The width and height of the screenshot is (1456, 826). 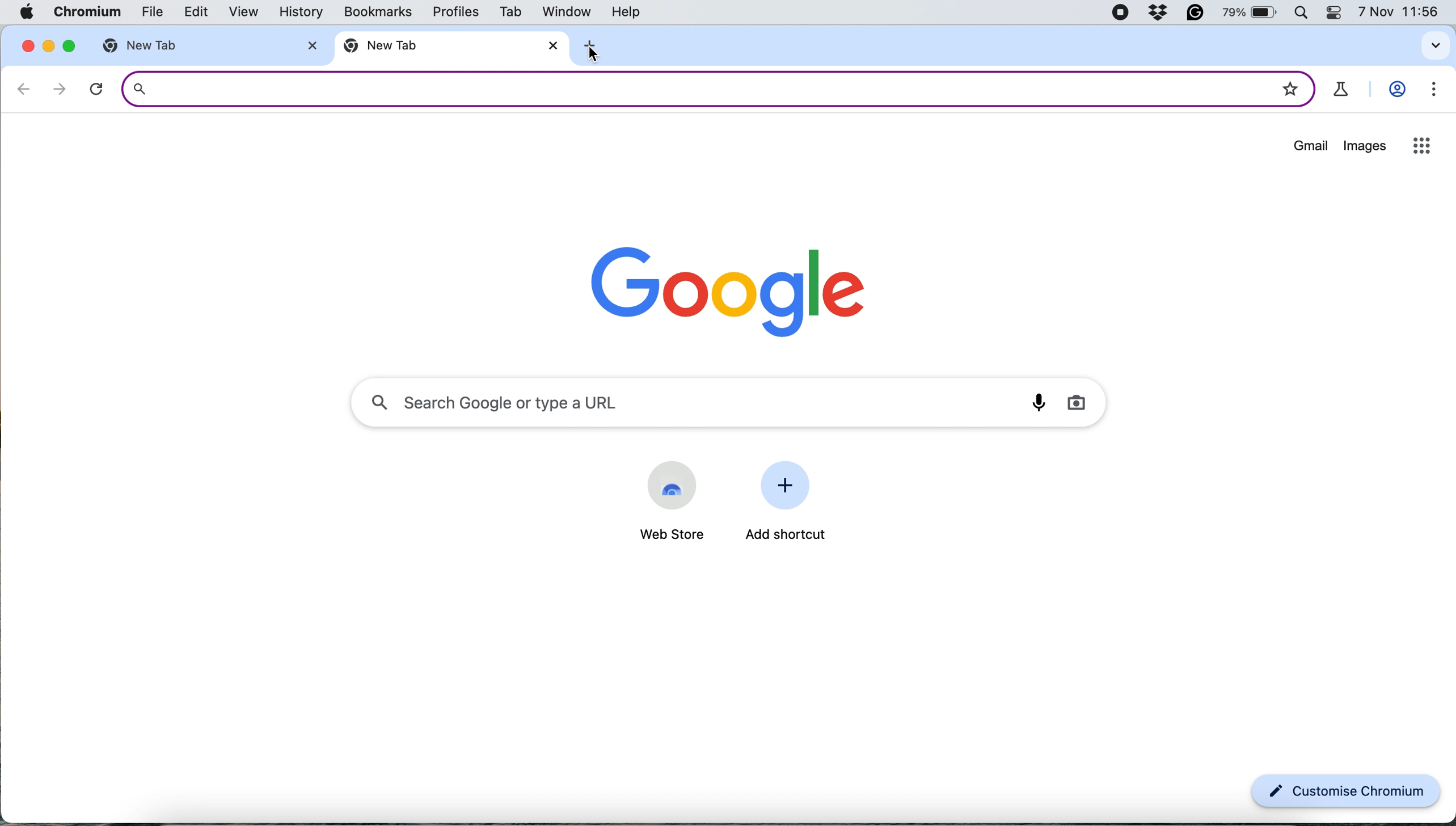 What do you see at coordinates (238, 12) in the screenshot?
I see `view` at bounding box center [238, 12].